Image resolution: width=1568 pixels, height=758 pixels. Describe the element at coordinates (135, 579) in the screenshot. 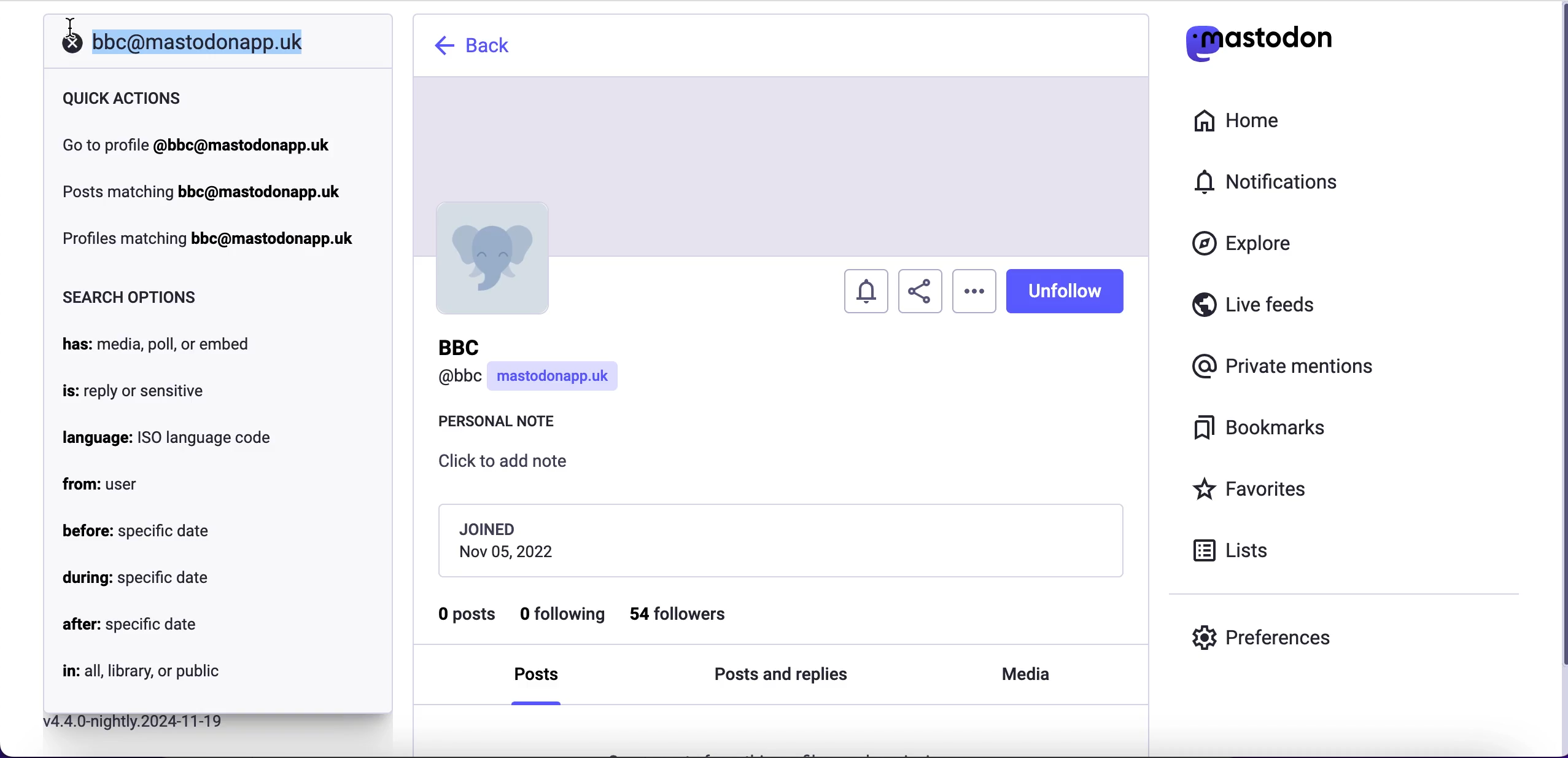

I see `during: specific date` at that location.